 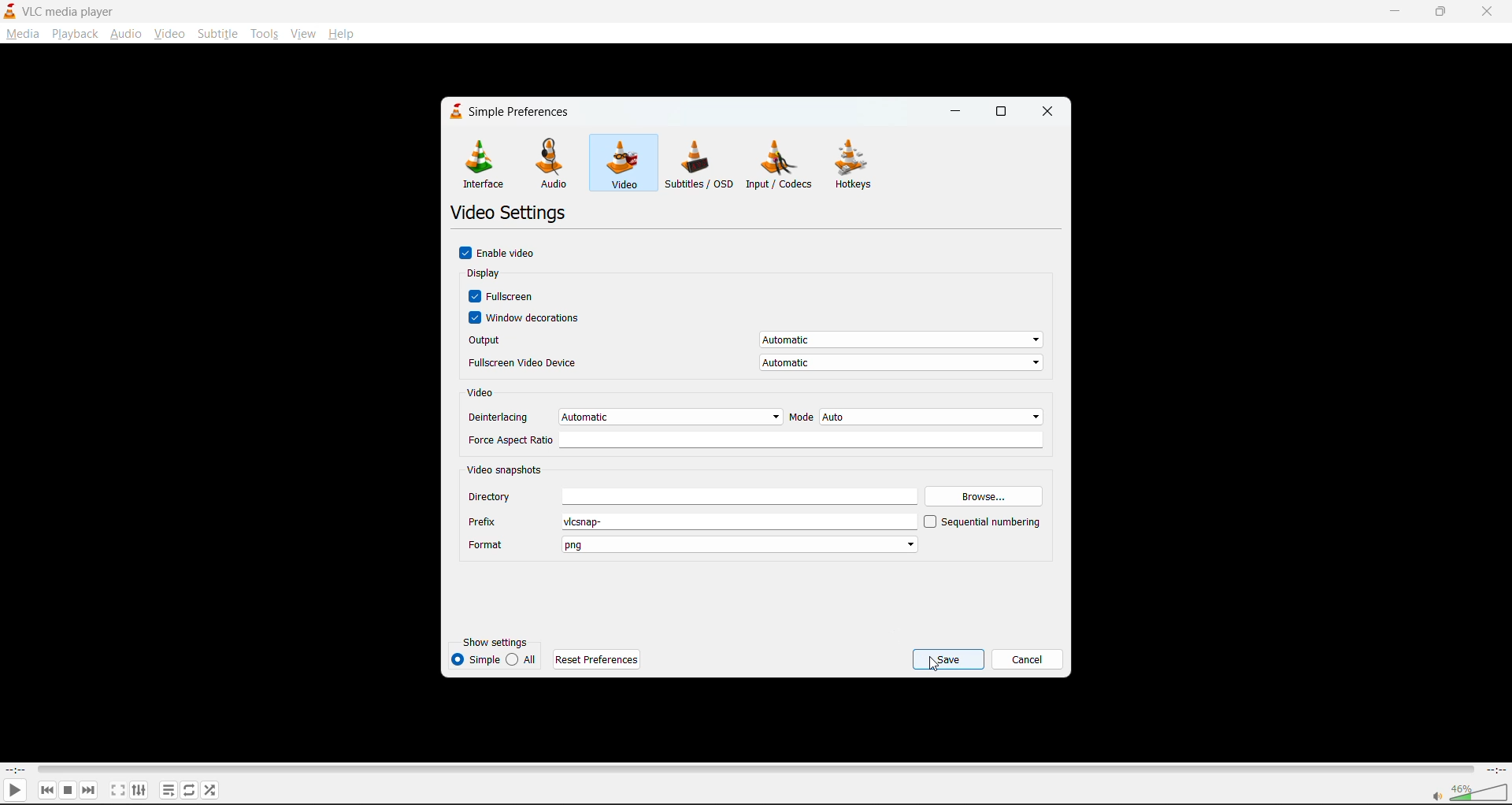 I want to click on cursor, so click(x=936, y=666).